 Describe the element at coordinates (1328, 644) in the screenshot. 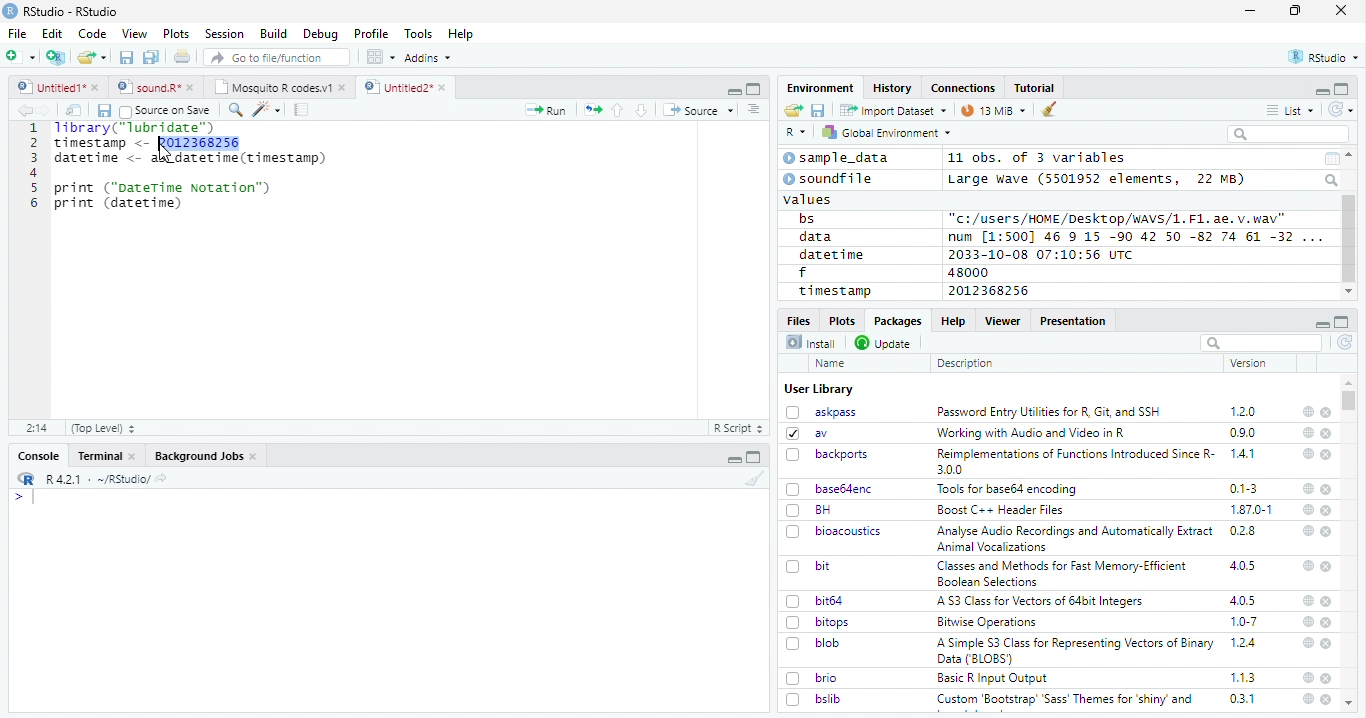

I see `close` at that location.